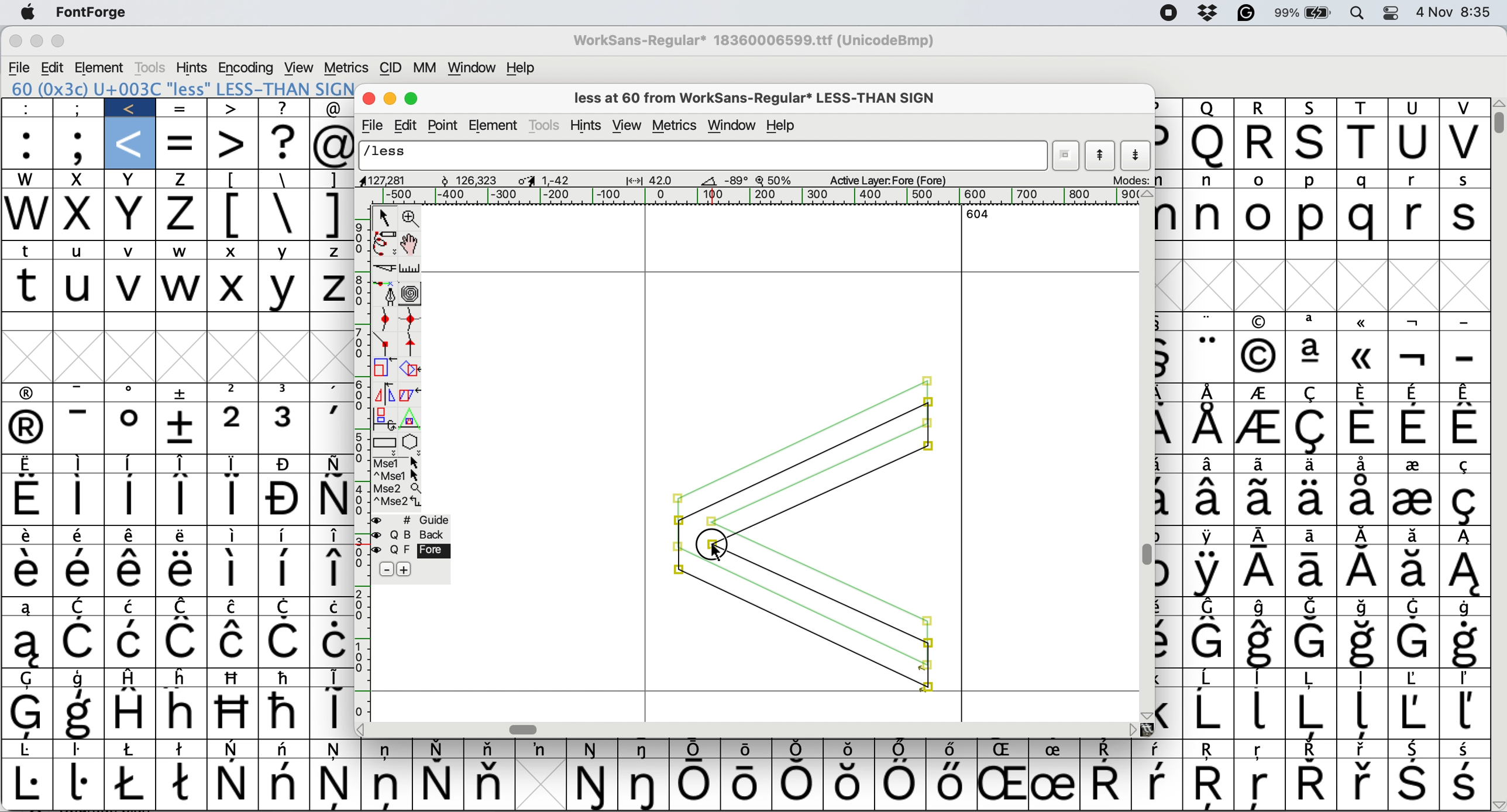  I want to click on commer point, so click(386, 343).